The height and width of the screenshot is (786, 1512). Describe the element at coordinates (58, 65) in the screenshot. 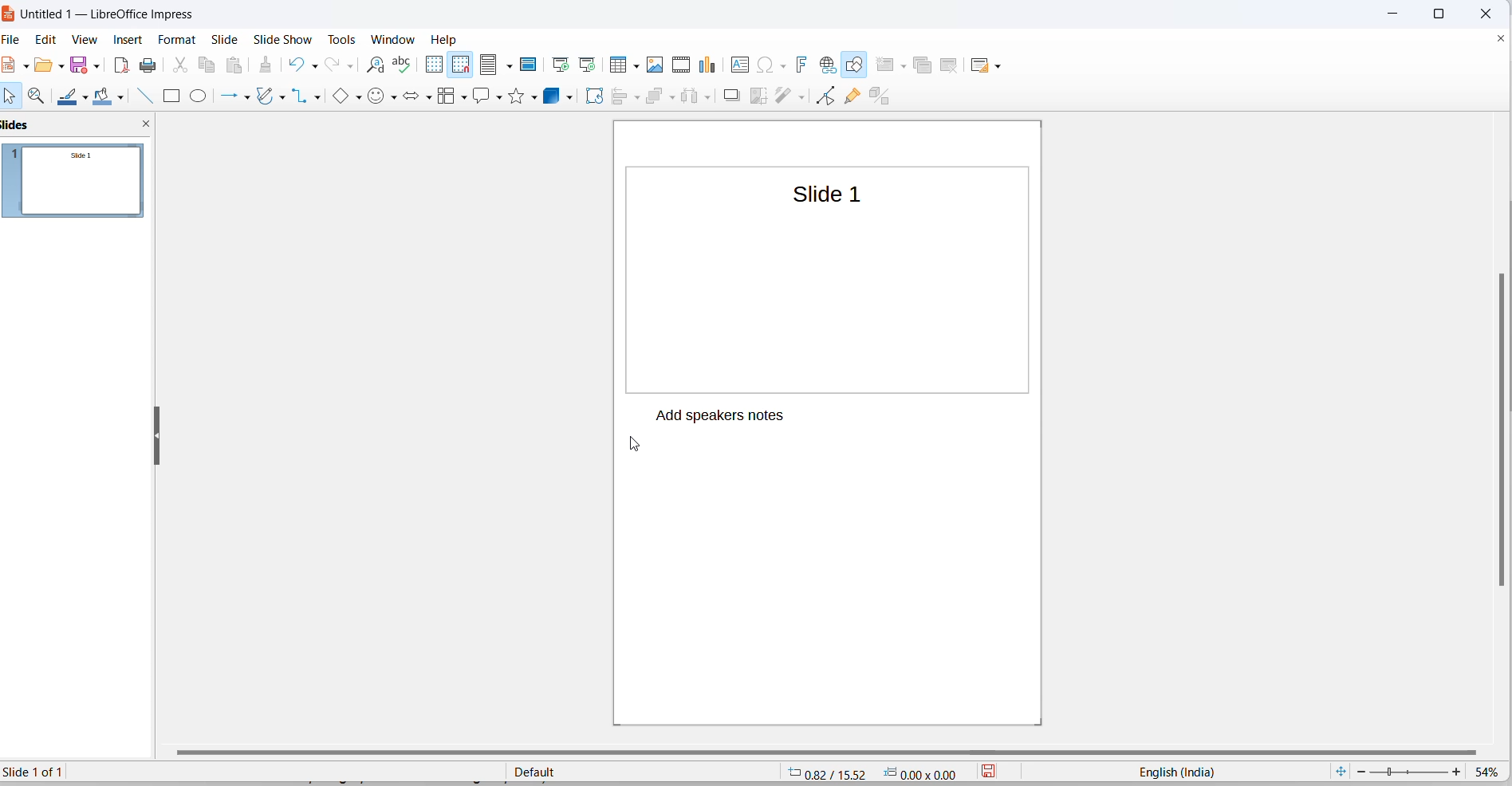

I see `open options` at that location.